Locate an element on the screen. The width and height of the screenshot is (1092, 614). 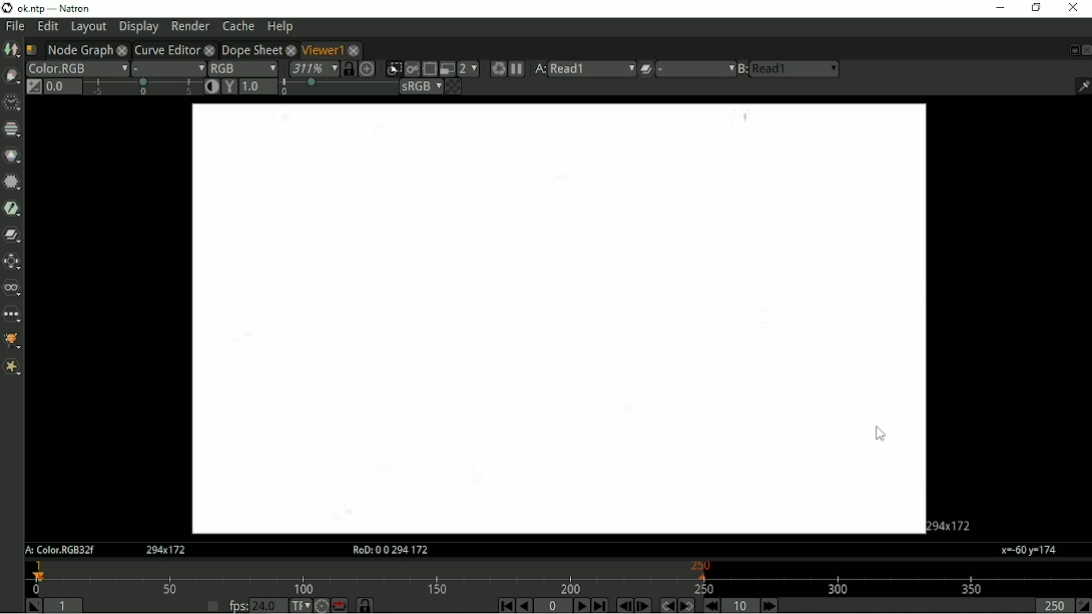
Scale down rendered image is located at coordinates (470, 68).